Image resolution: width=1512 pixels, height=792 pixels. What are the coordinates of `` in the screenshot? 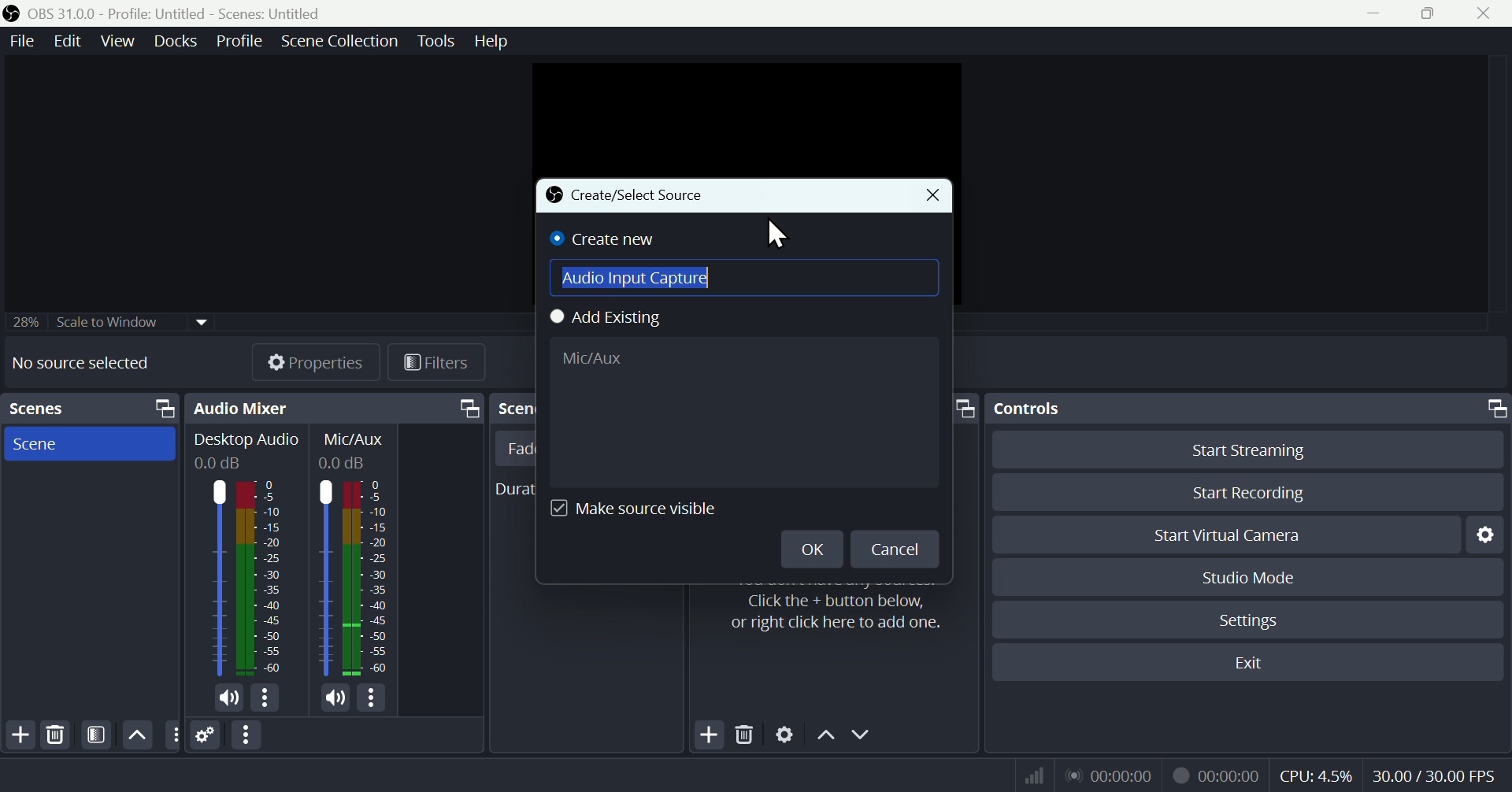 It's located at (1260, 449).